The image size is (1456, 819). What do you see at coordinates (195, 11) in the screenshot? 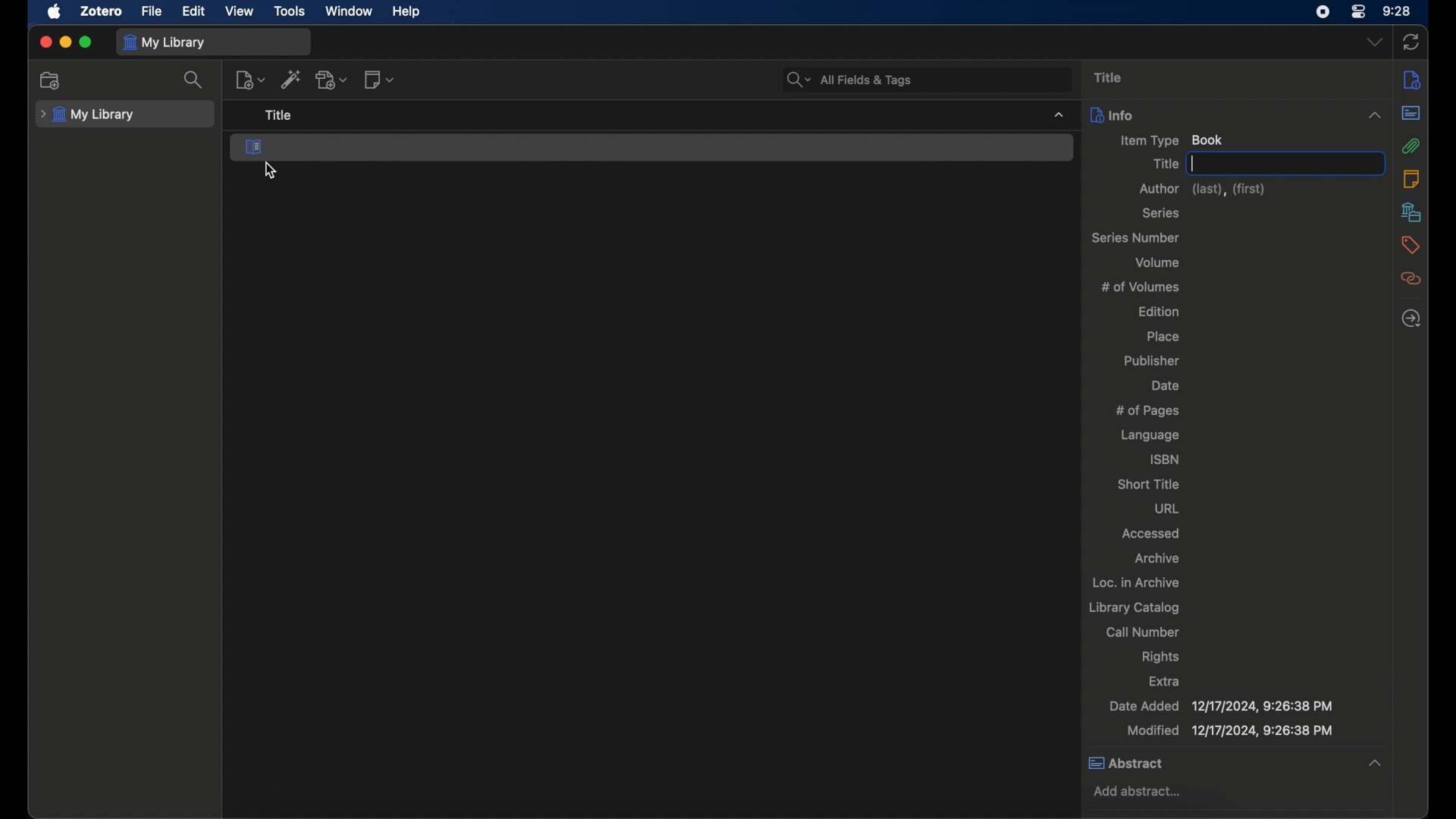
I see `edit` at bounding box center [195, 11].